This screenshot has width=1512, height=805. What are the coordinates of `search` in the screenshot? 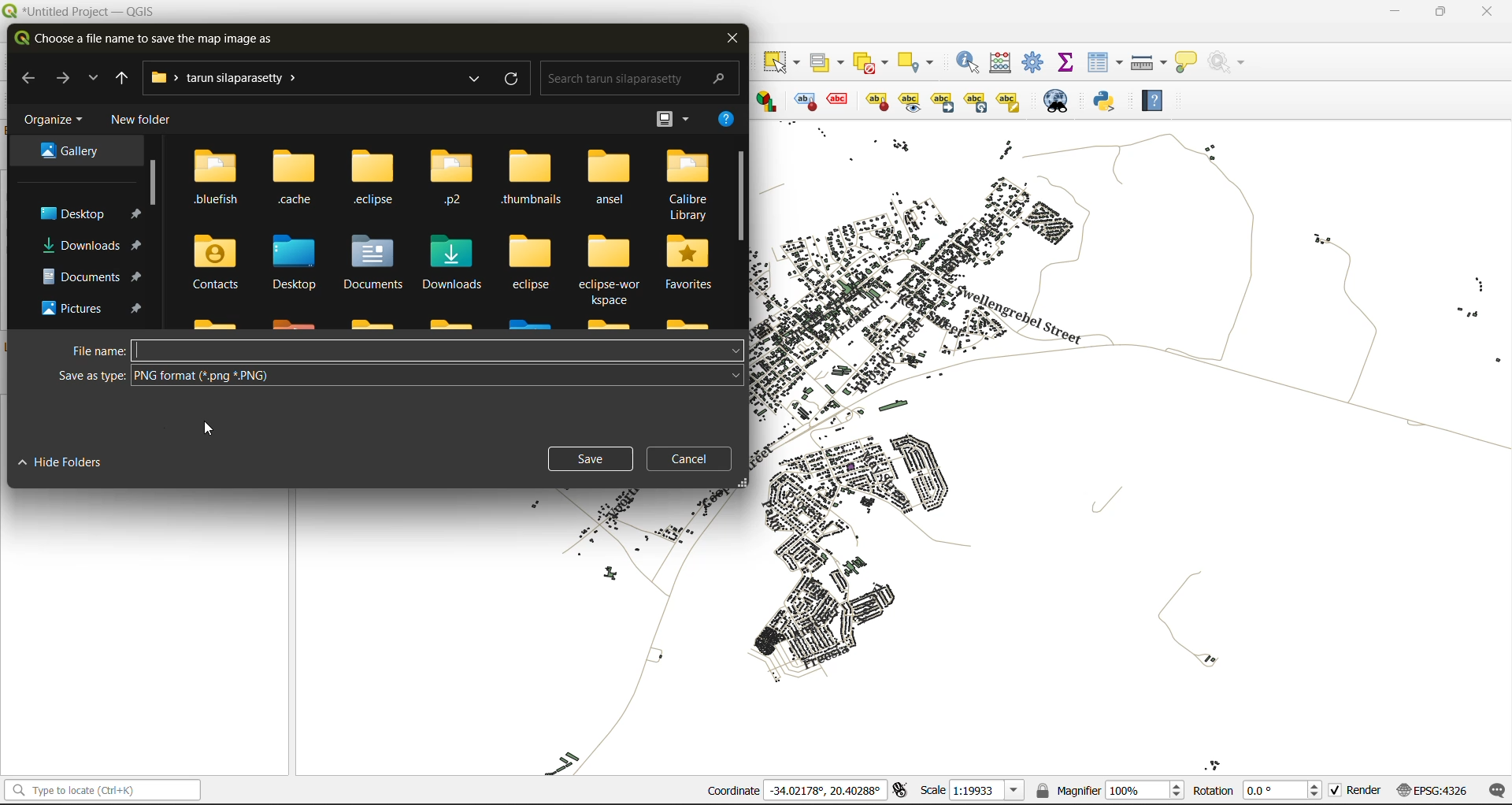 It's located at (634, 76).